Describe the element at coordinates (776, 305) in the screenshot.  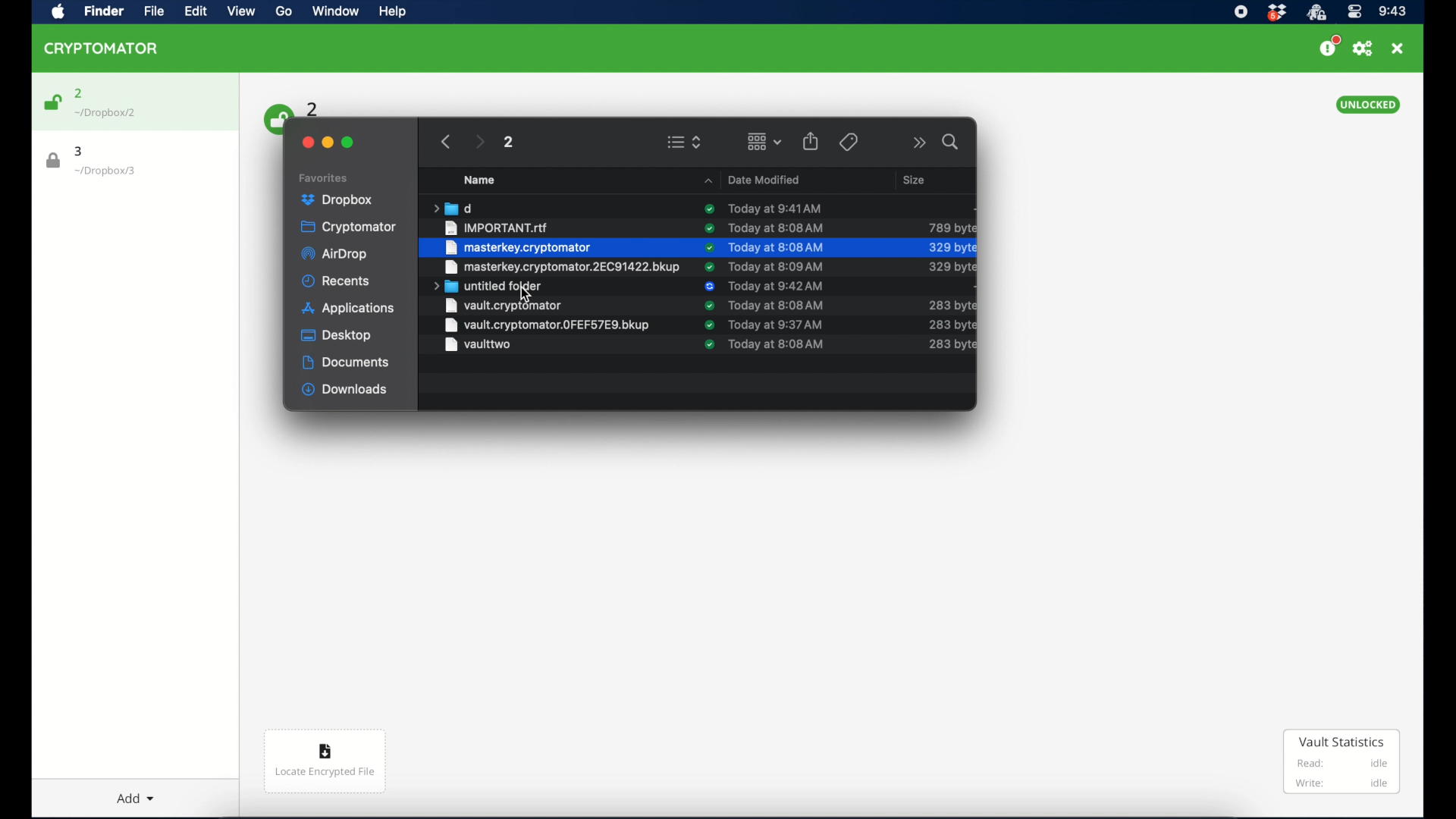
I see `date` at that location.